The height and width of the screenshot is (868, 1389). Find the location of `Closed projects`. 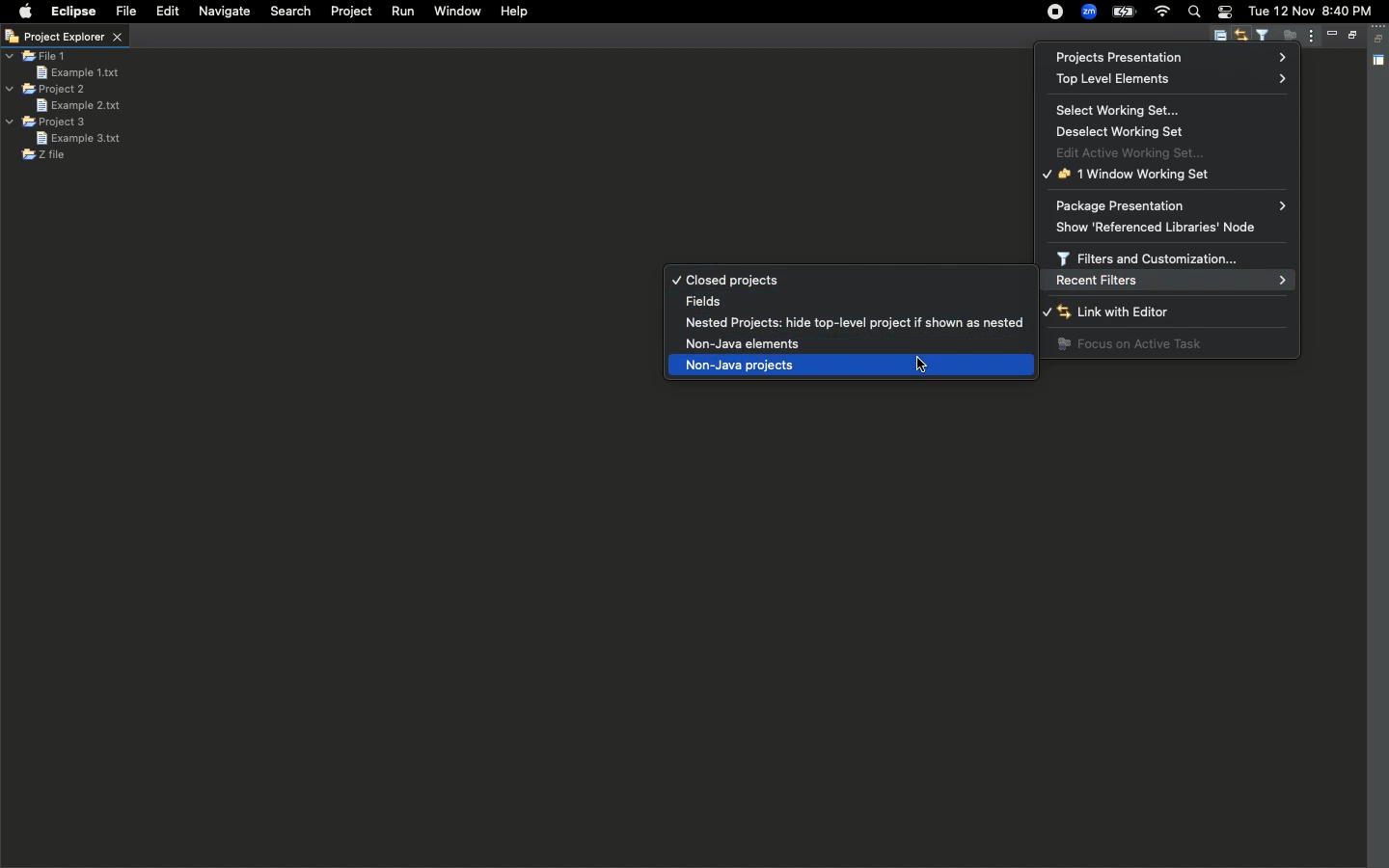

Closed projects is located at coordinates (783, 279).